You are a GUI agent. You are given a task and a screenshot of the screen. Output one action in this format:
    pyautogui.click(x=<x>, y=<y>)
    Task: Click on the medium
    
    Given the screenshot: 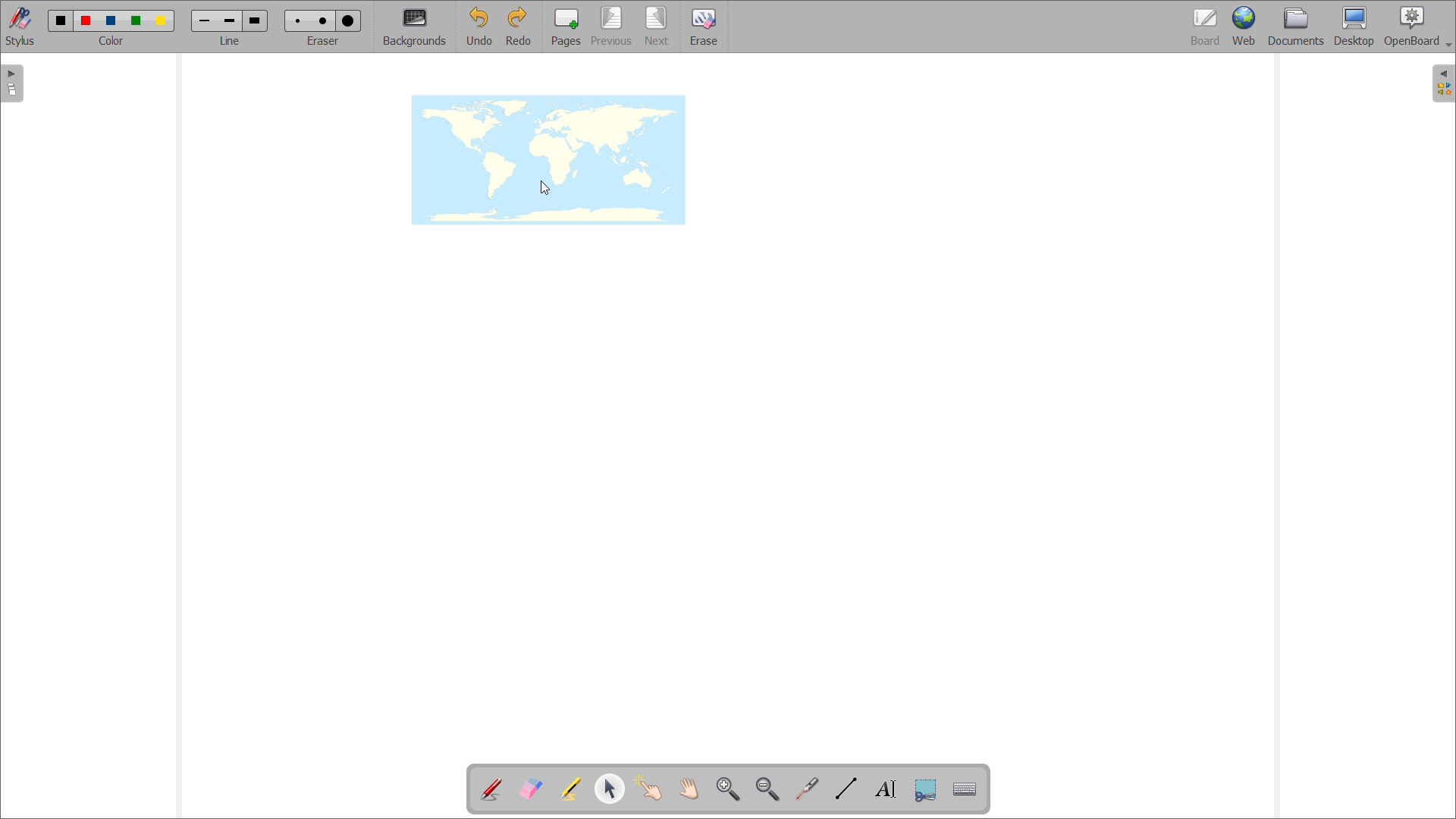 What is the action you would take?
    pyautogui.click(x=229, y=22)
    